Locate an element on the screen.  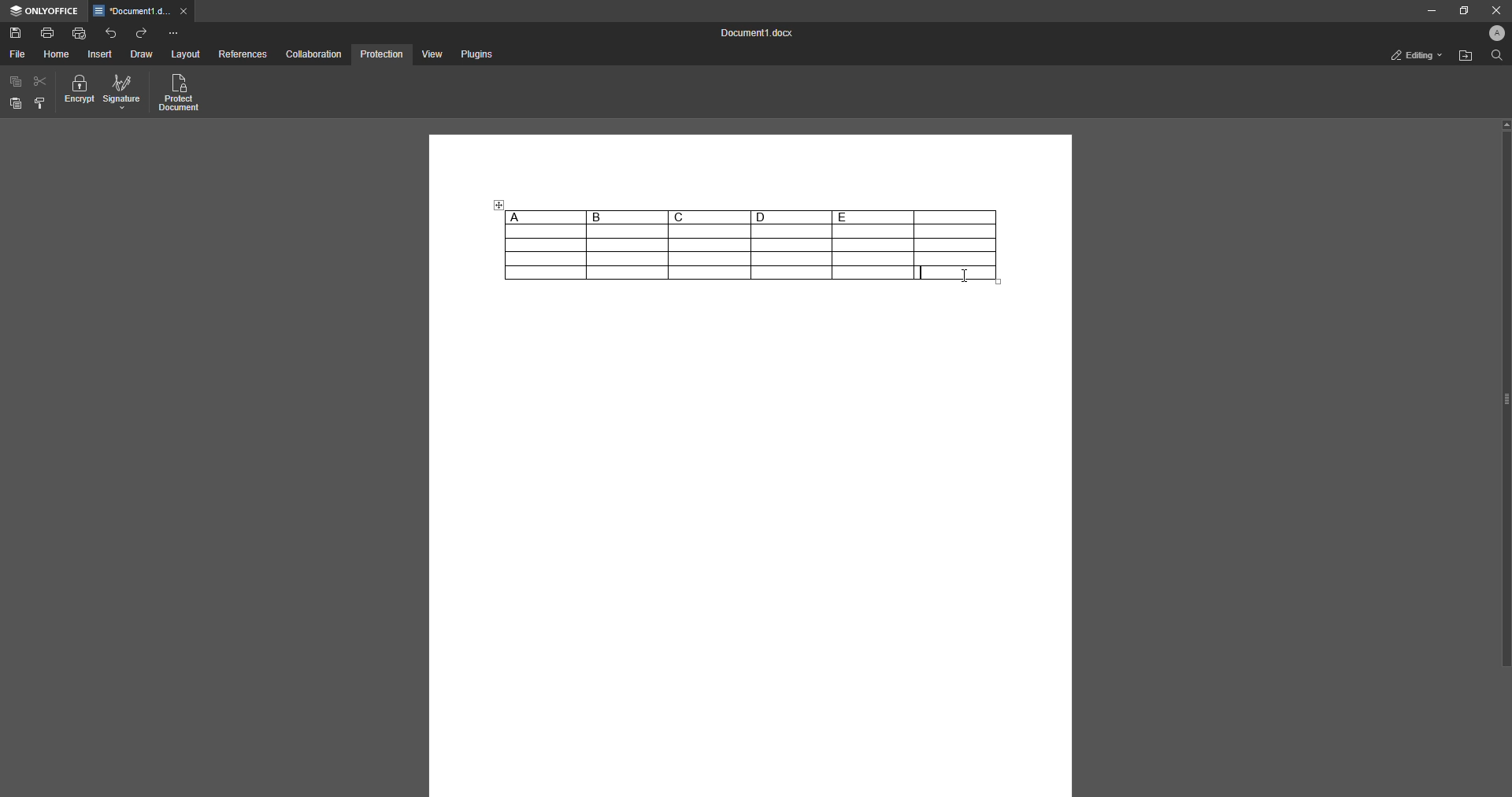
Options is located at coordinates (173, 33).